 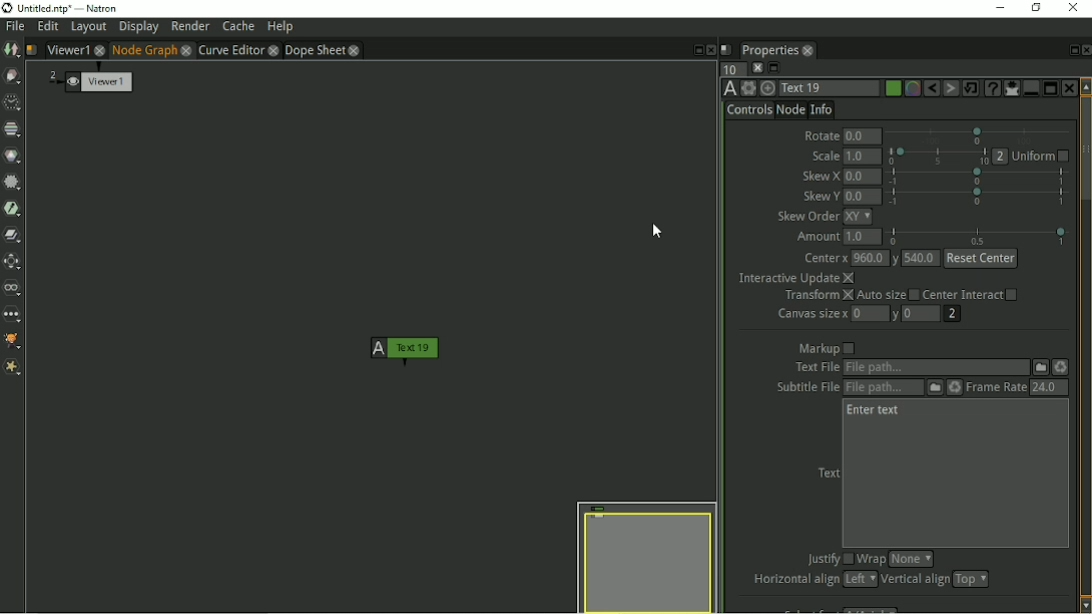 I want to click on Restore default values, so click(x=972, y=88).